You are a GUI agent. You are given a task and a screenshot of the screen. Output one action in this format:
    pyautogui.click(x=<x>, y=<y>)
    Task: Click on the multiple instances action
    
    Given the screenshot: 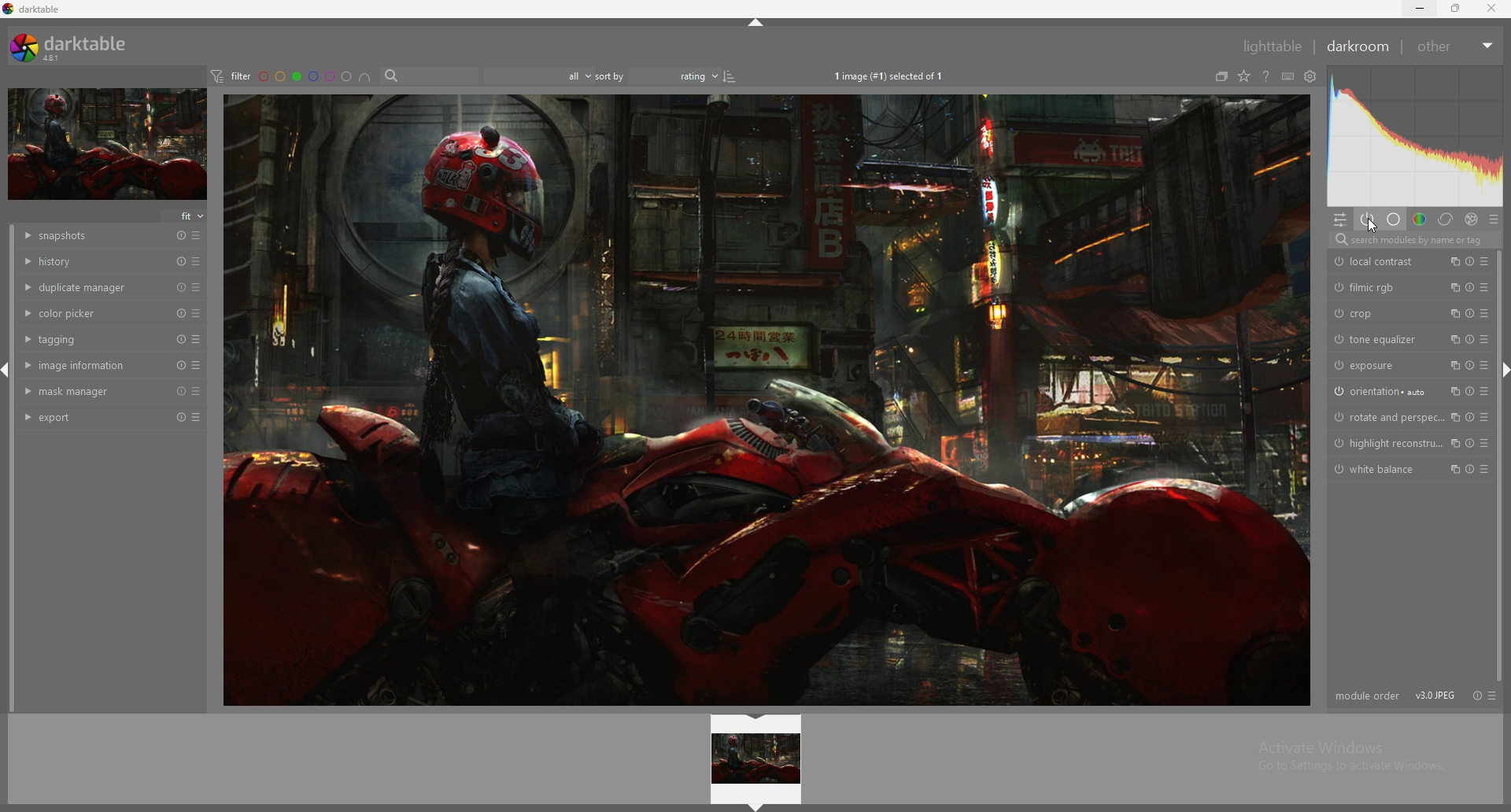 What is the action you would take?
    pyautogui.click(x=1455, y=314)
    